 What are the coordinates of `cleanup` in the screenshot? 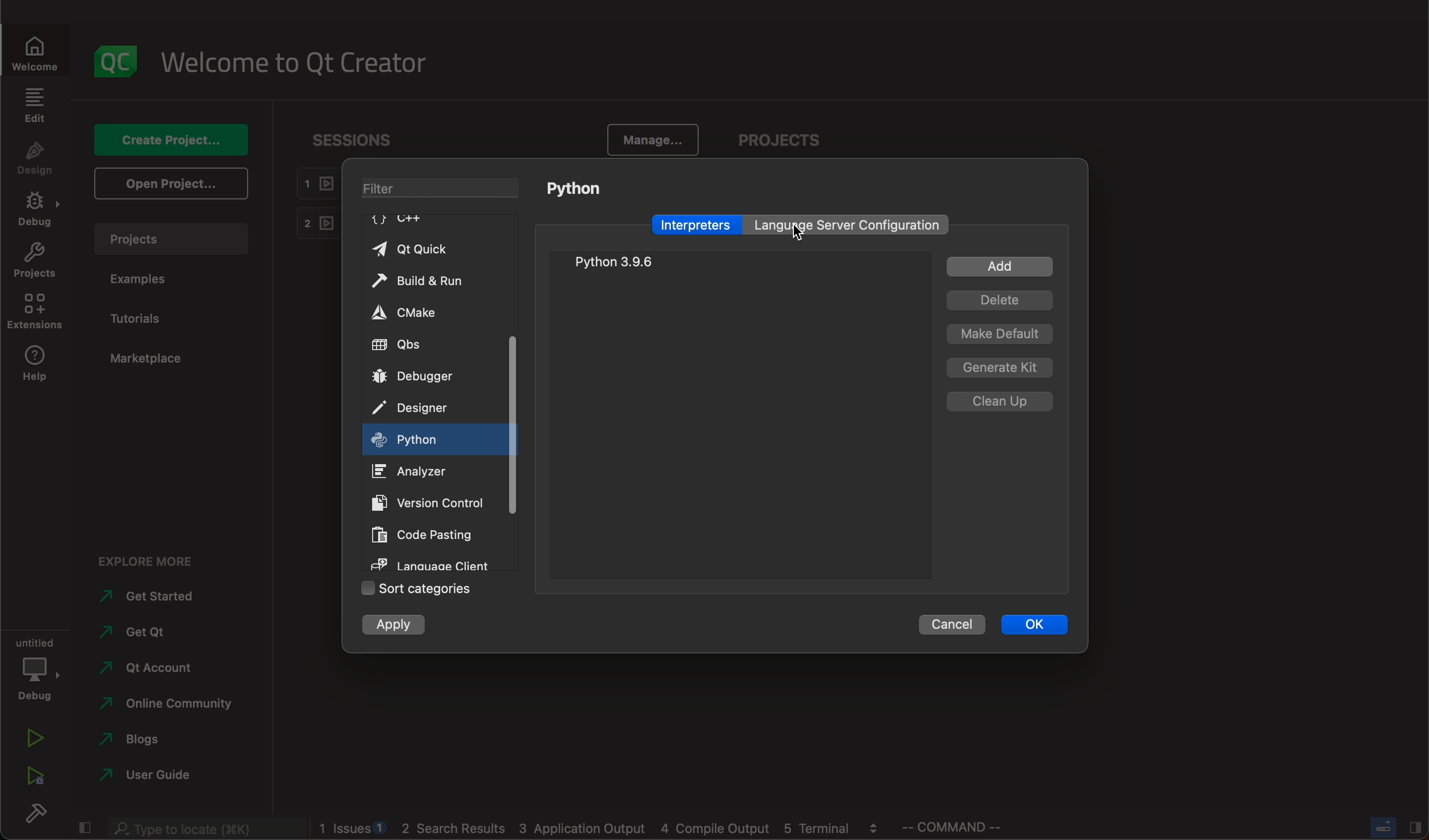 It's located at (1004, 401).